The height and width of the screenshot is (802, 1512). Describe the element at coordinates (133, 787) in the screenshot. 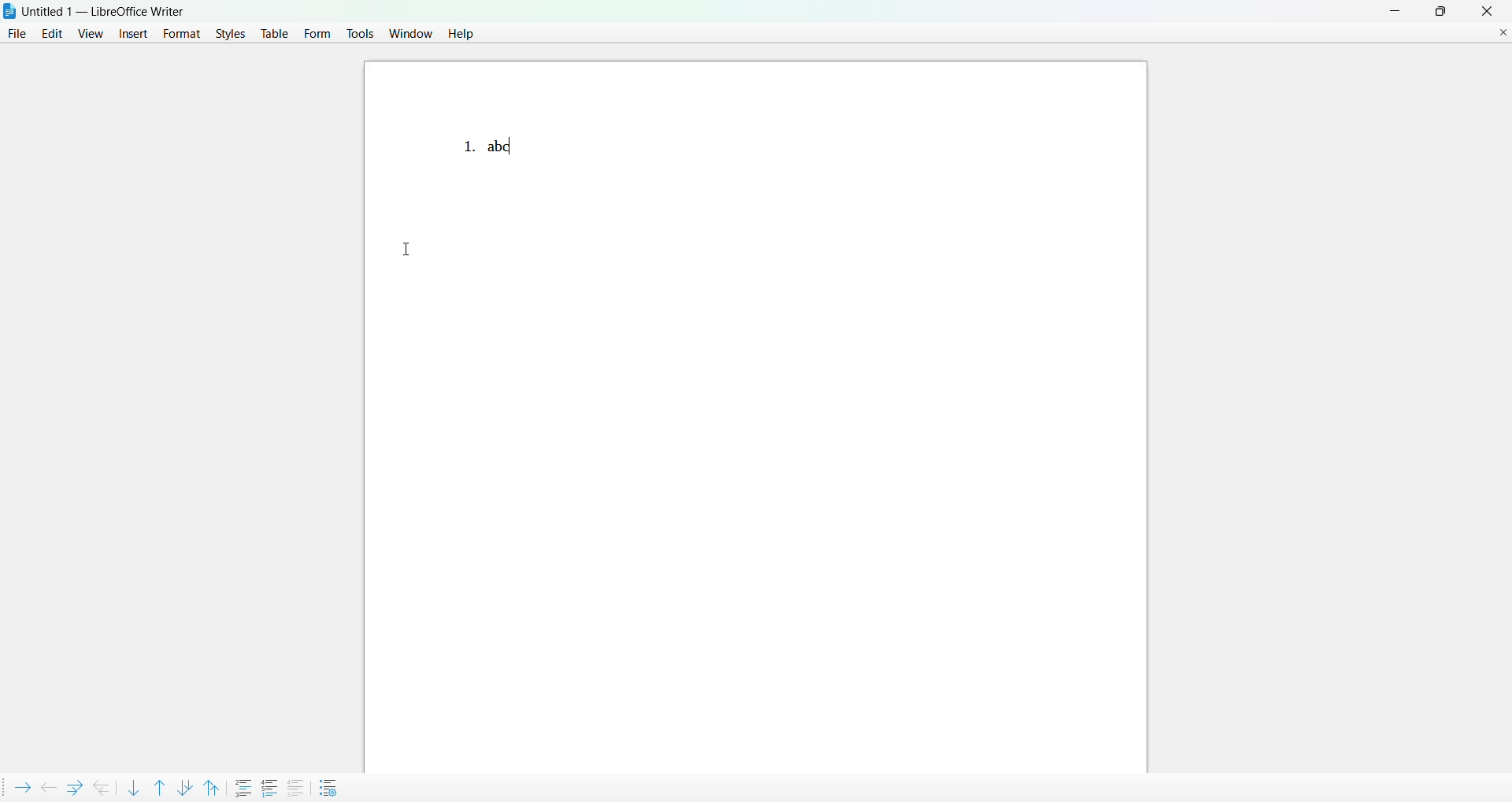

I see `move item down` at that location.